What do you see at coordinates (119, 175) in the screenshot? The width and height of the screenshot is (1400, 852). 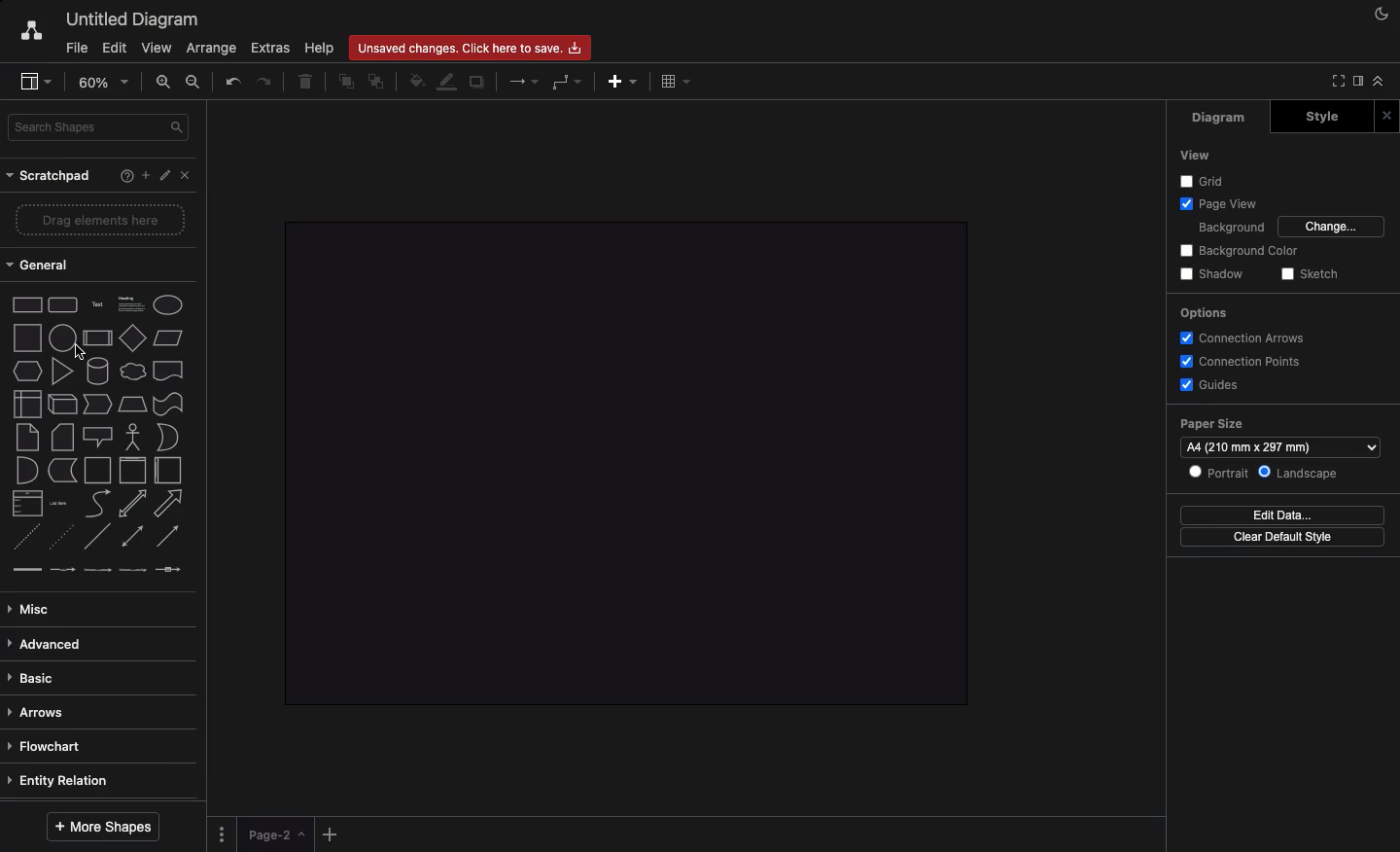 I see `Help` at bounding box center [119, 175].